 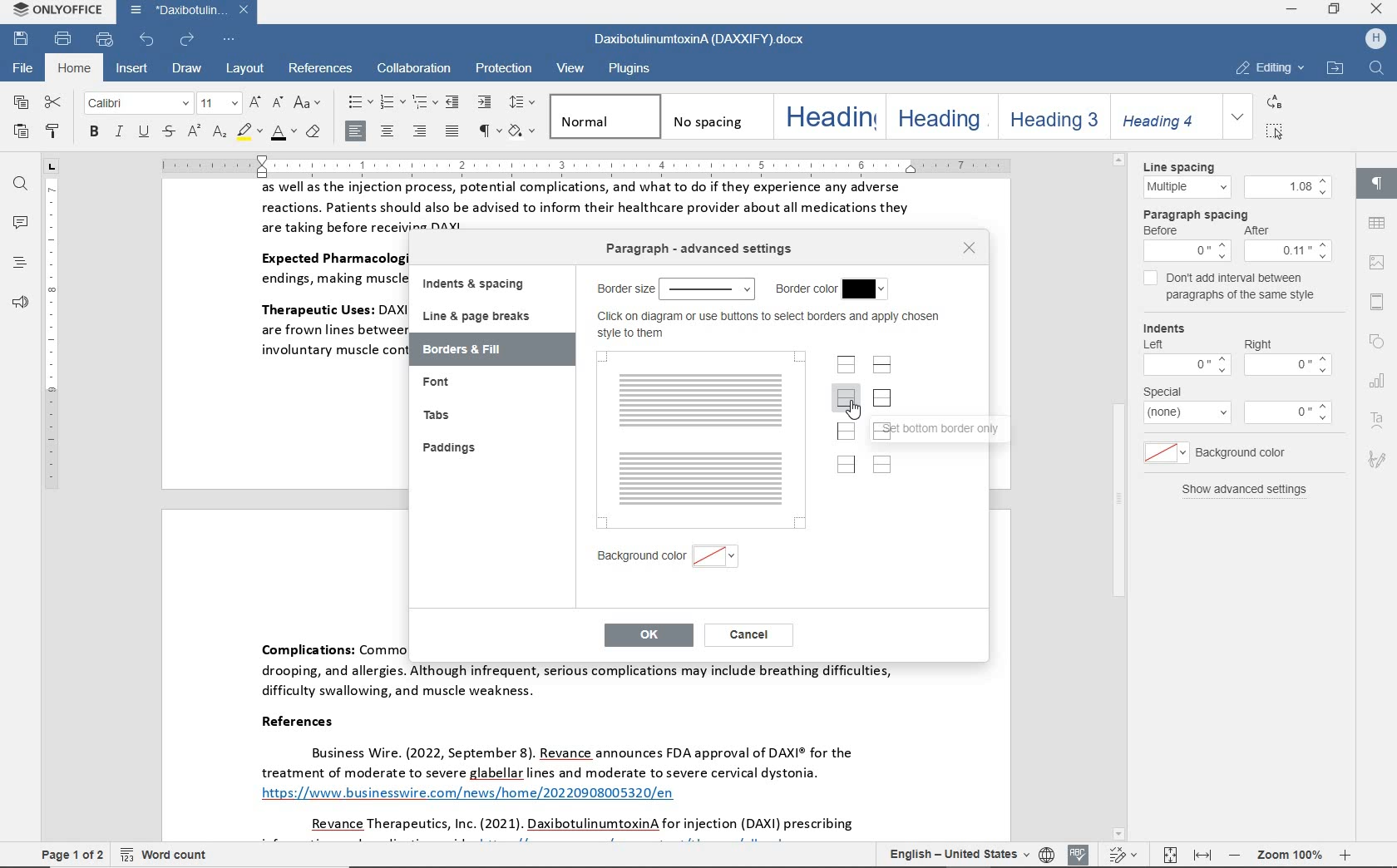 What do you see at coordinates (1380, 343) in the screenshot?
I see `shape` at bounding box center [1380, 343].